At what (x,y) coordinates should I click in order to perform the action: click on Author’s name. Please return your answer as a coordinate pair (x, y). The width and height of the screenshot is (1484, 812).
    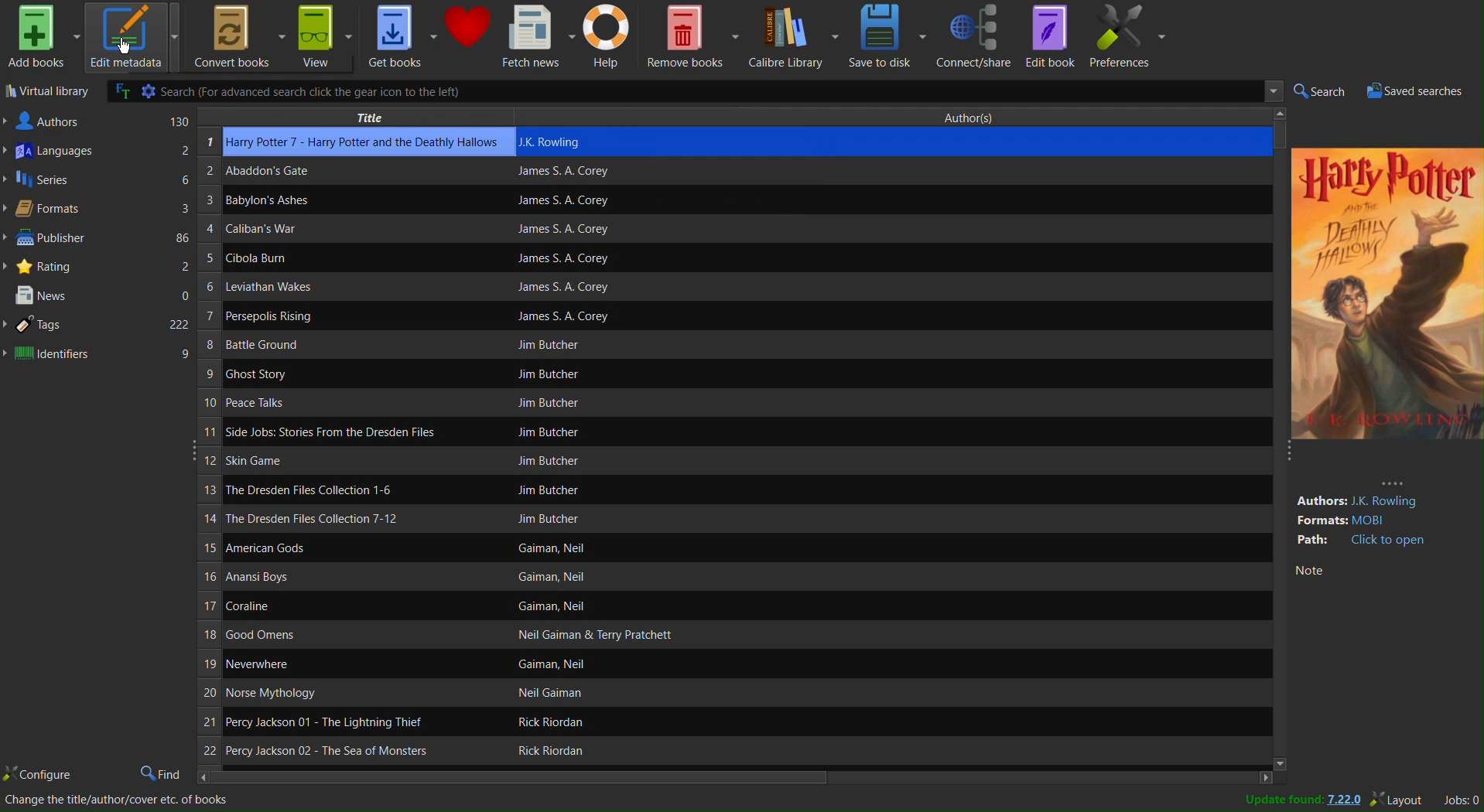
    Looking at the image, I should click on (722, 200).